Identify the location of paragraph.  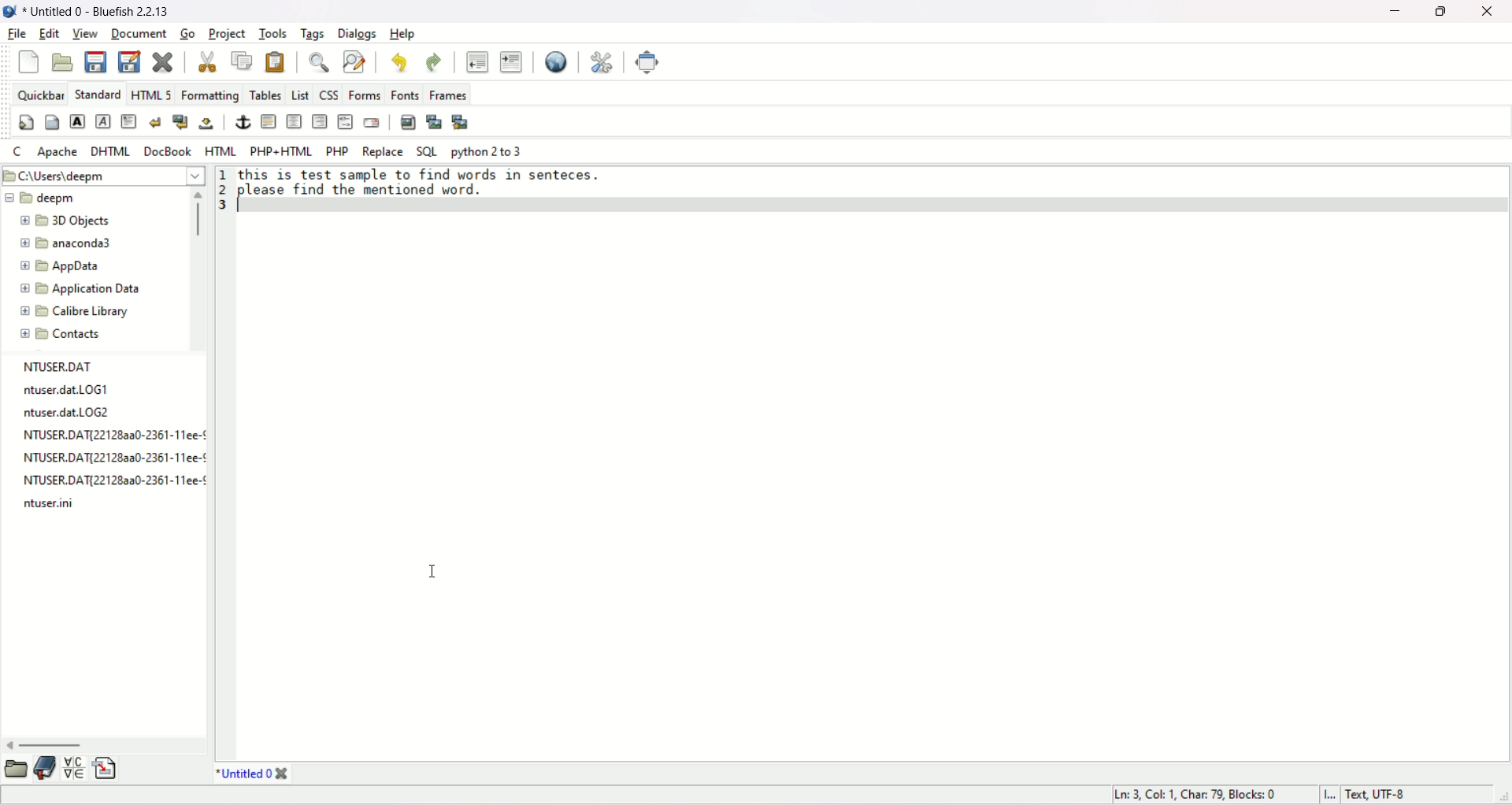
(129, 121).